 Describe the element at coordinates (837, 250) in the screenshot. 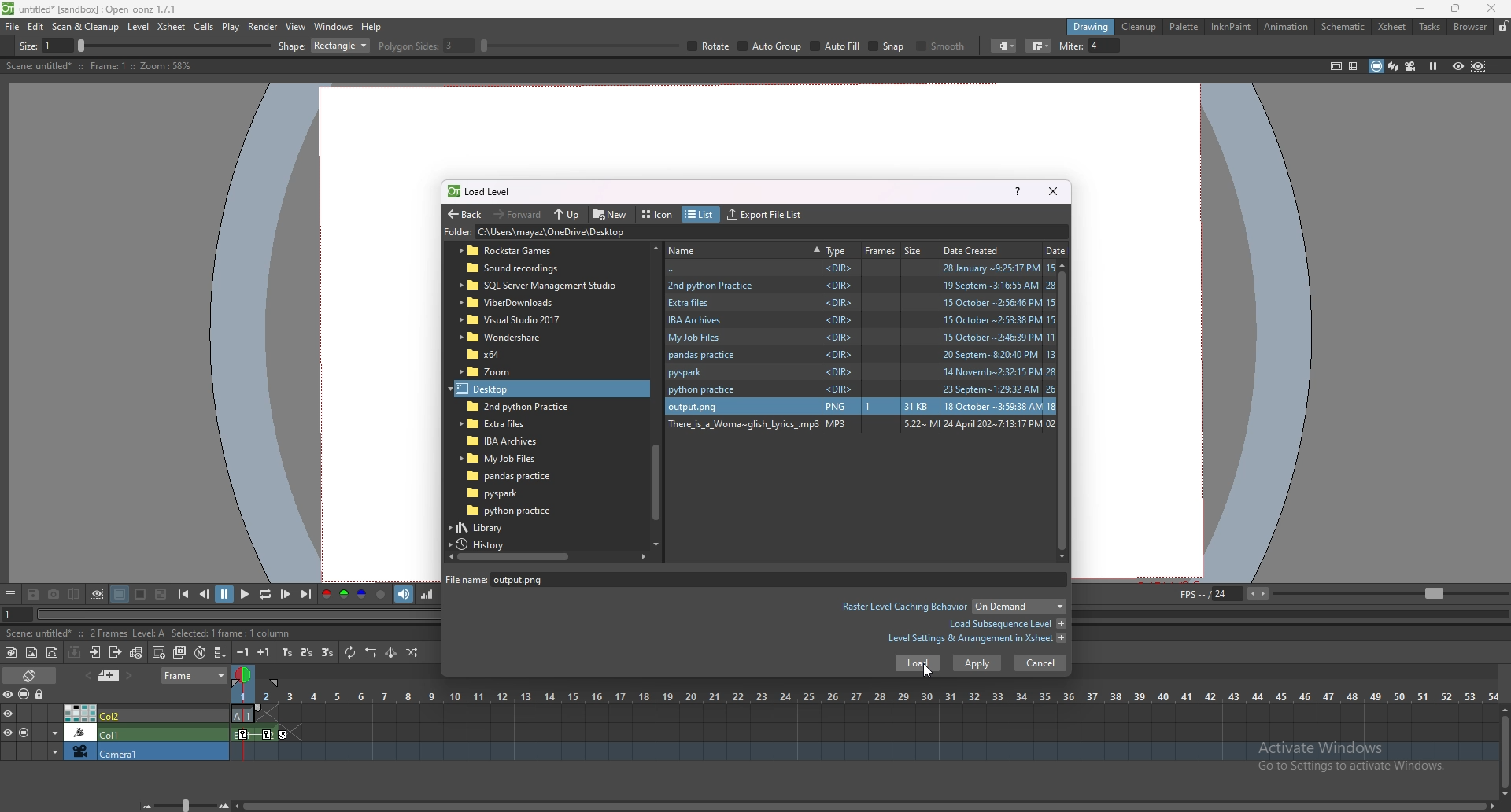

I see `type` at that location.